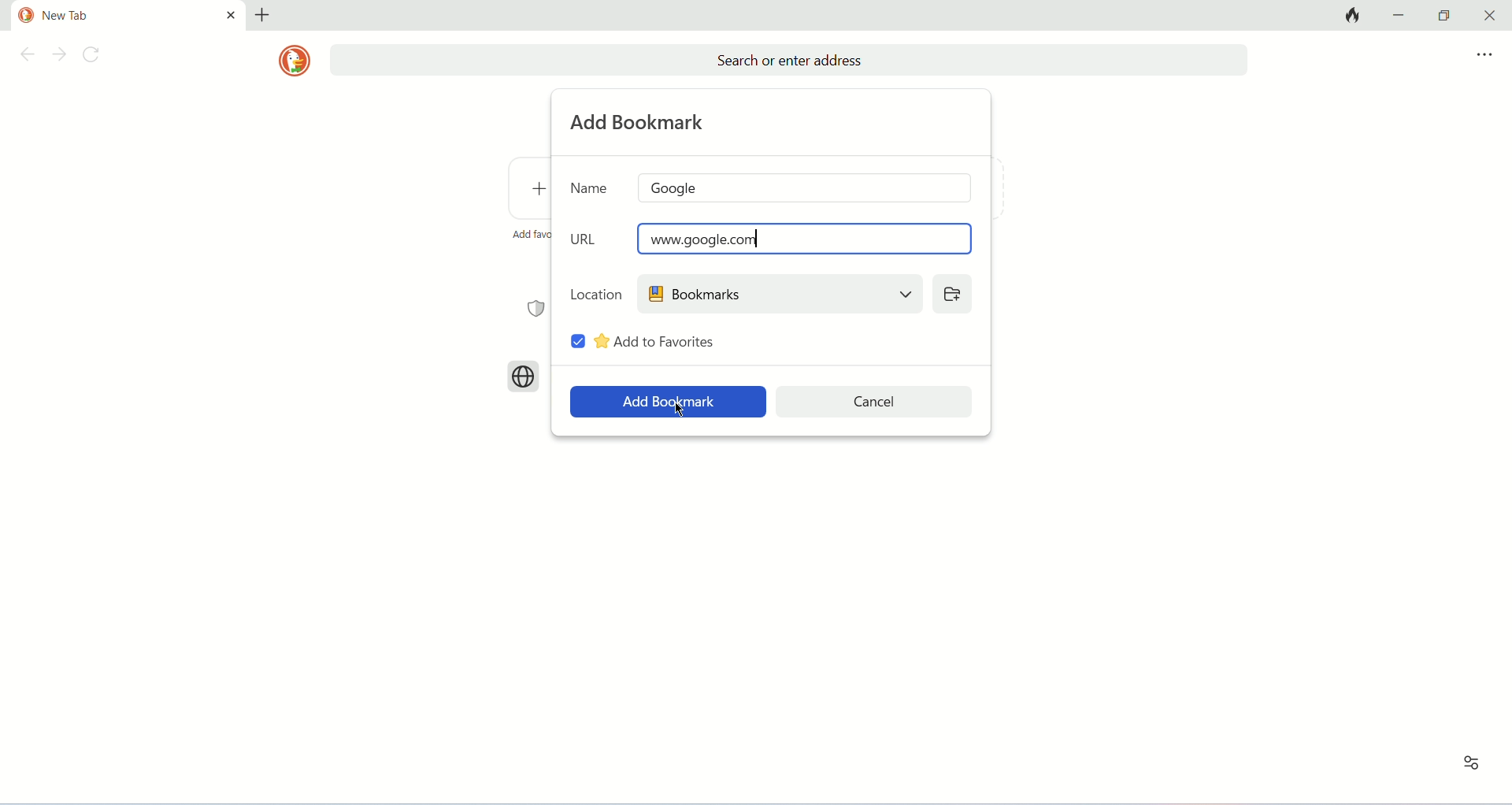 The height and width of the screenshot is (805, 1512). What do you see at coordinates (530, 234) in the screenshot?
I see `add favorite` at bounding box center [530, 234].